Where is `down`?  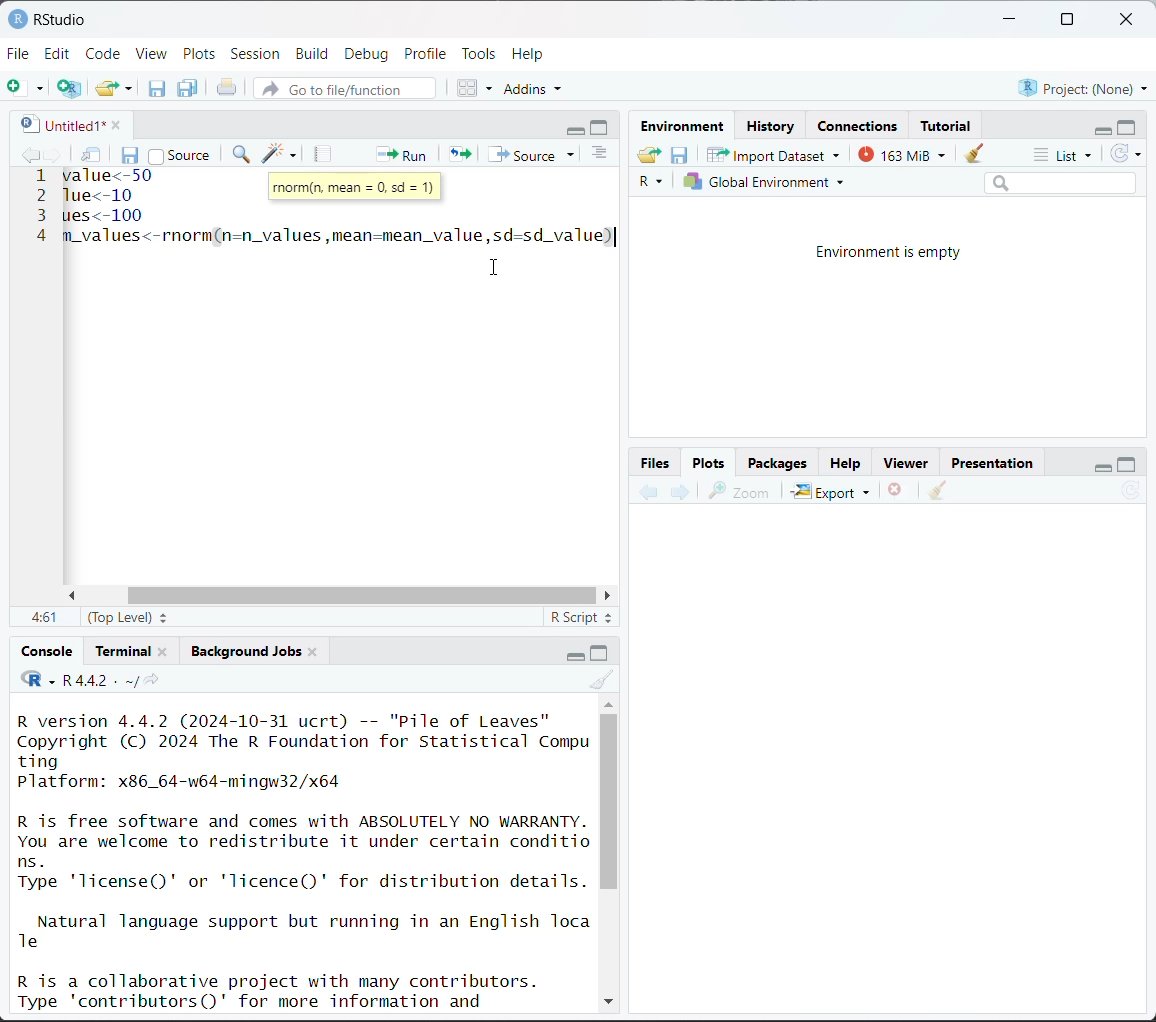 down is located at coordinates (607, 998).